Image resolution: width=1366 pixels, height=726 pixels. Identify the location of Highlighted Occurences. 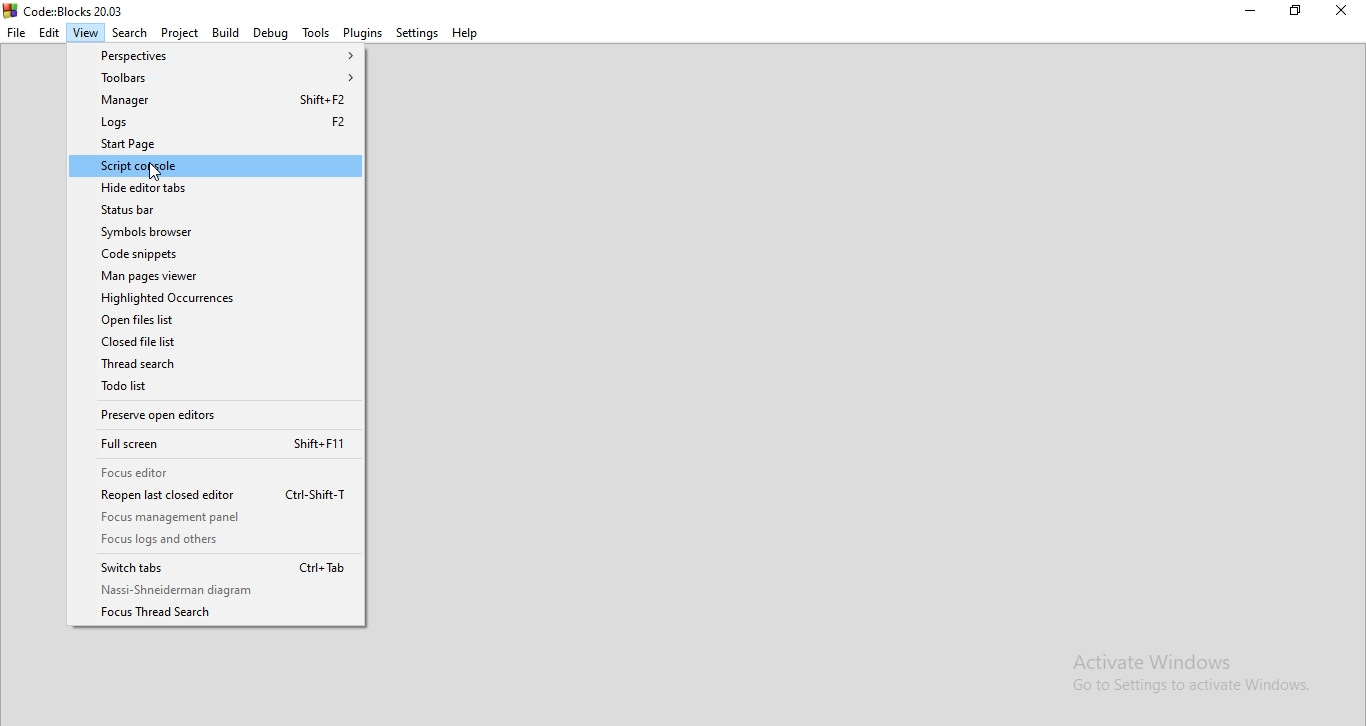
(216, 299).